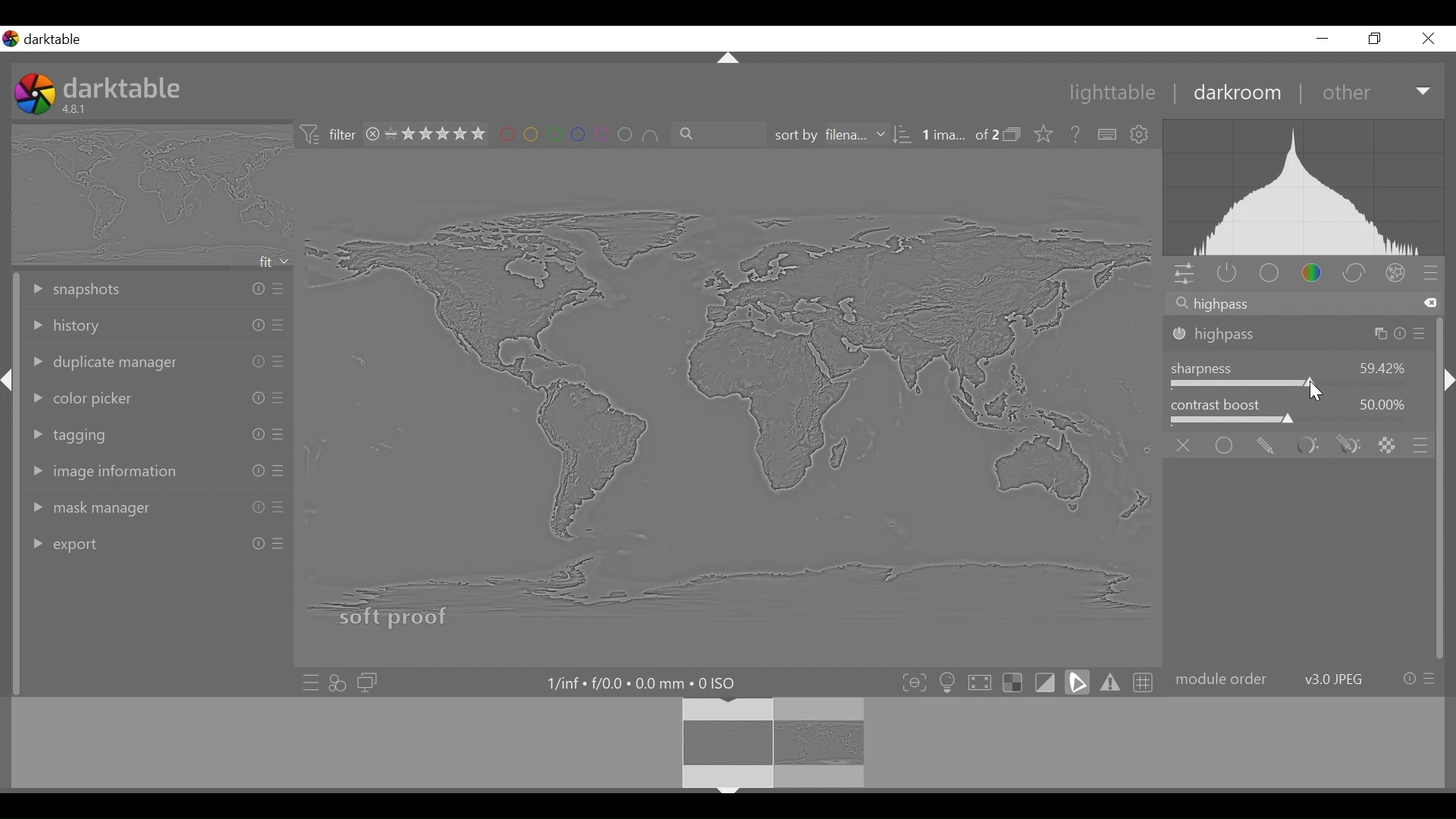  I want to click on icon, so click(1012, 133).